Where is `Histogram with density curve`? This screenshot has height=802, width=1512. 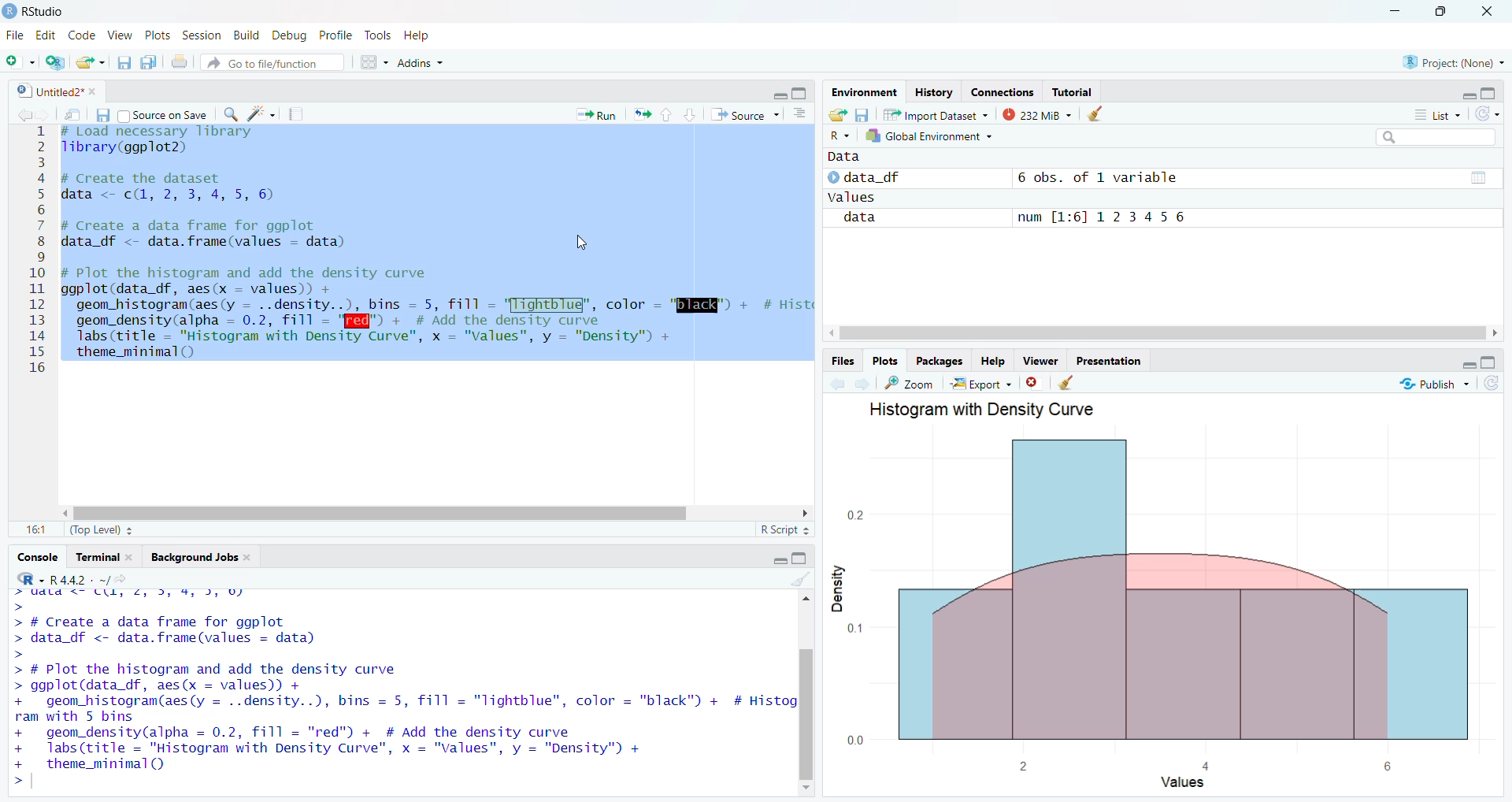
Histogram with density curve is located at coordinates (994, 408).